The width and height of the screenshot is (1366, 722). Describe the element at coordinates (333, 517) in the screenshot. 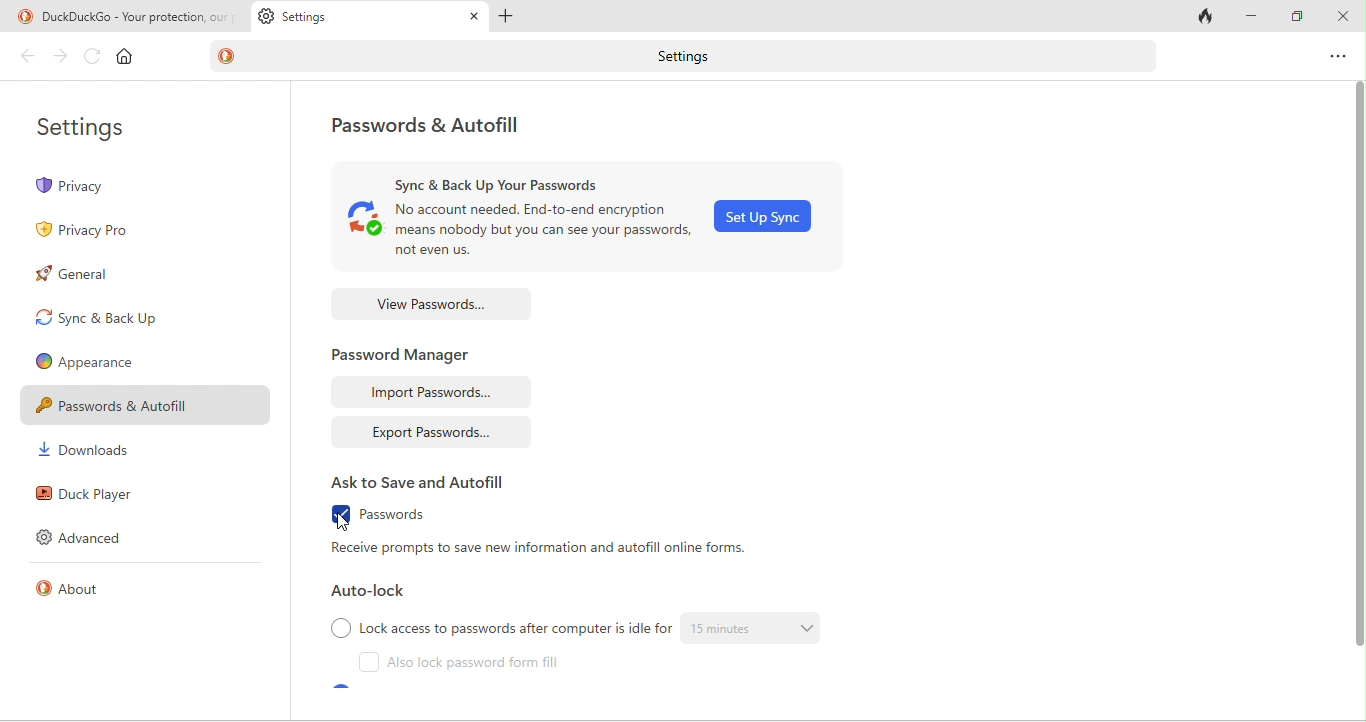

I see `enable checkbox` at that location.